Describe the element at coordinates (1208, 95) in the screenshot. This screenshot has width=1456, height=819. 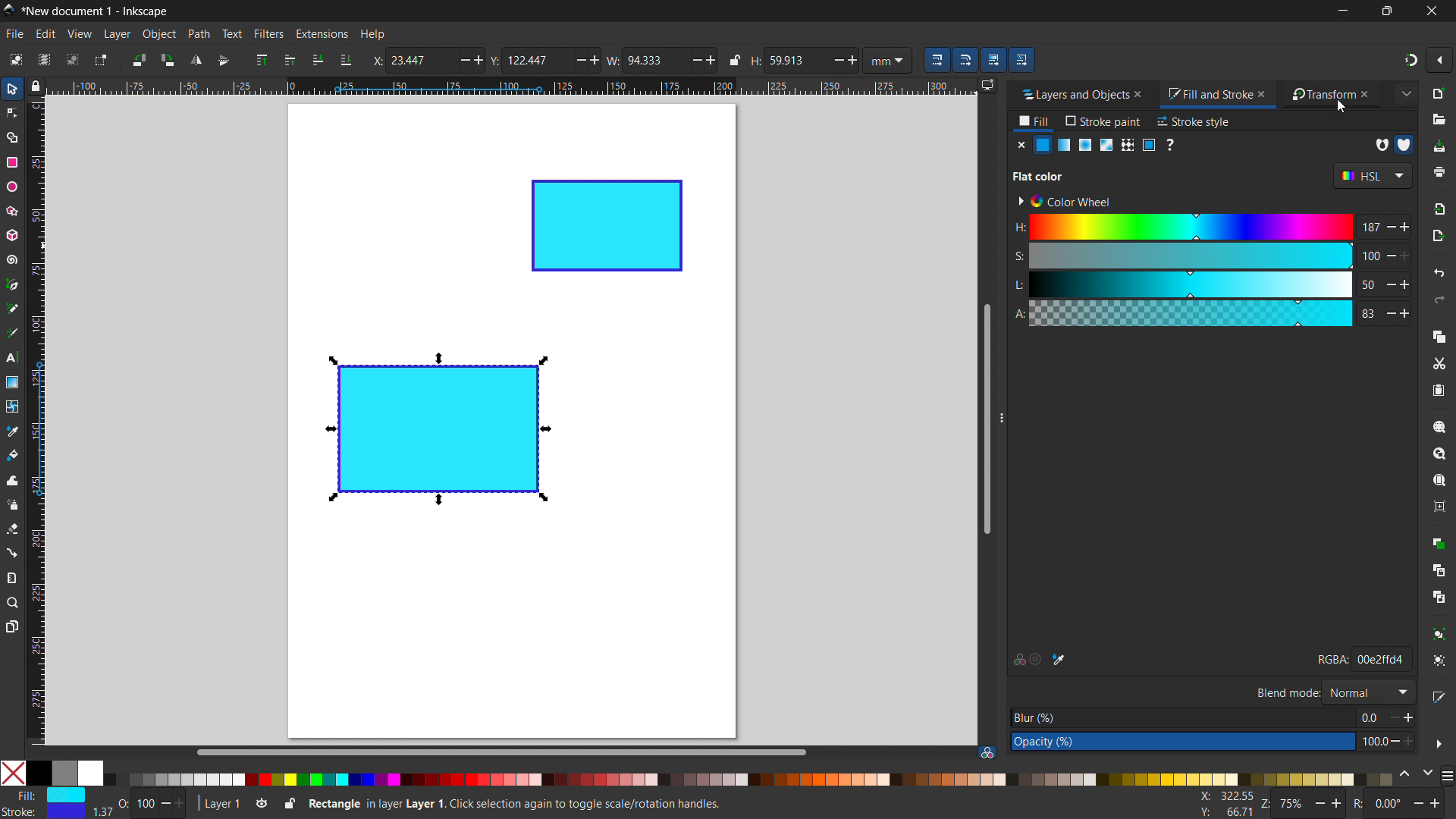
I see `fill and stroke` at that location.